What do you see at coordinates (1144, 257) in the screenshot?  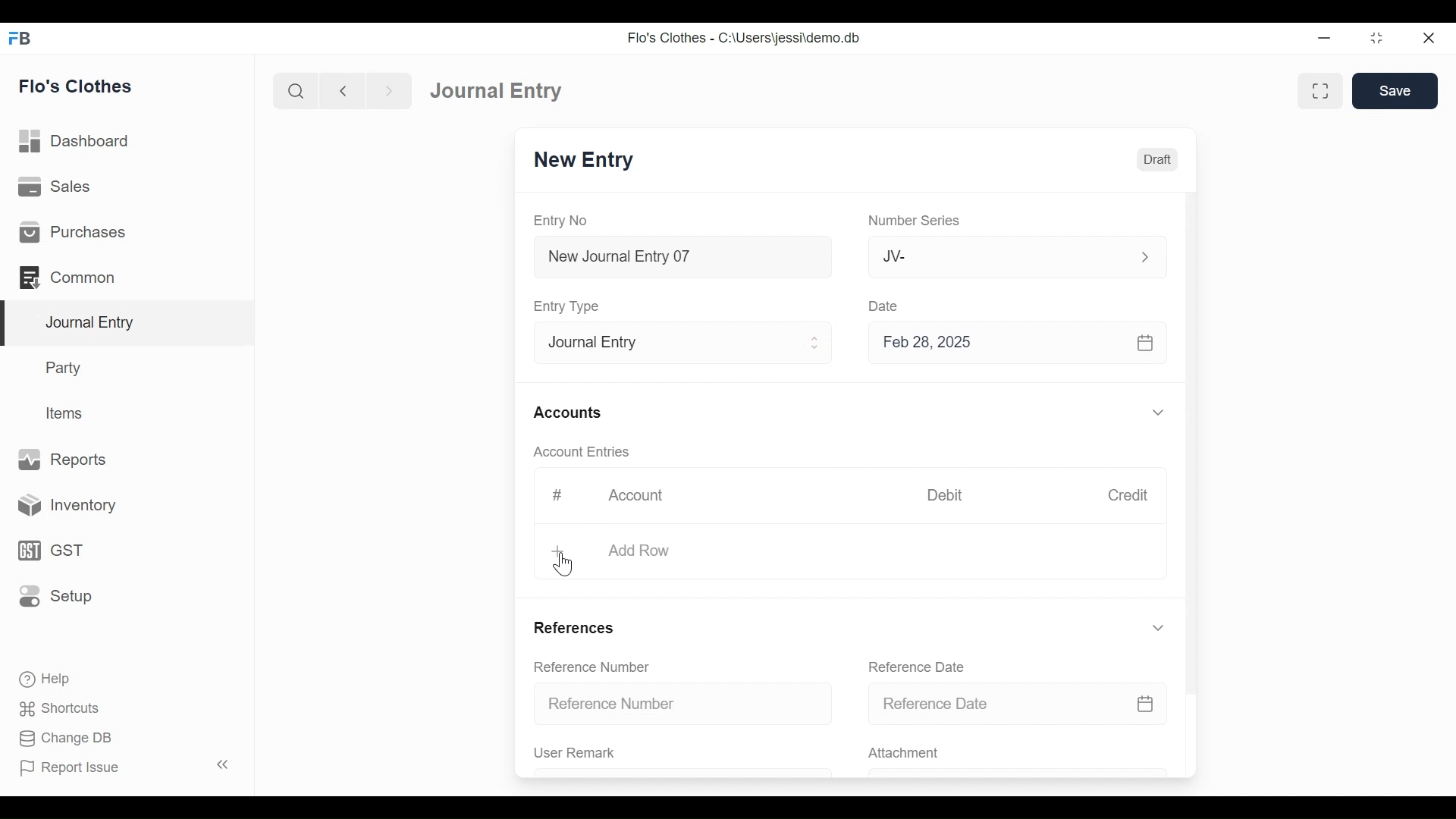 I see `Expand` at bounding box center [1144, 257].